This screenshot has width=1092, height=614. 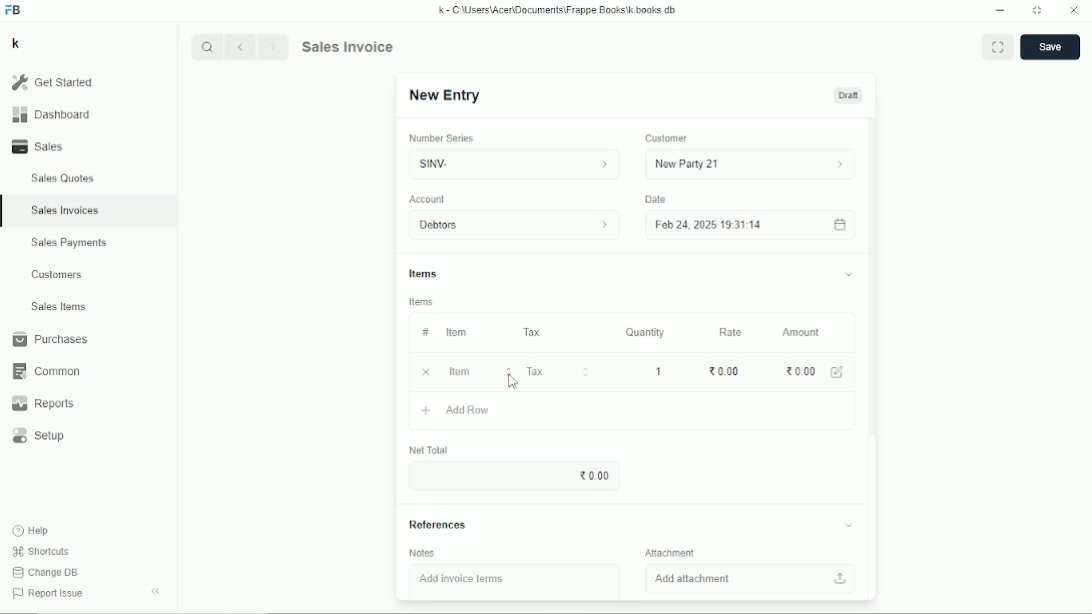 I want to click on 0.00, so click(x=723, y=371).